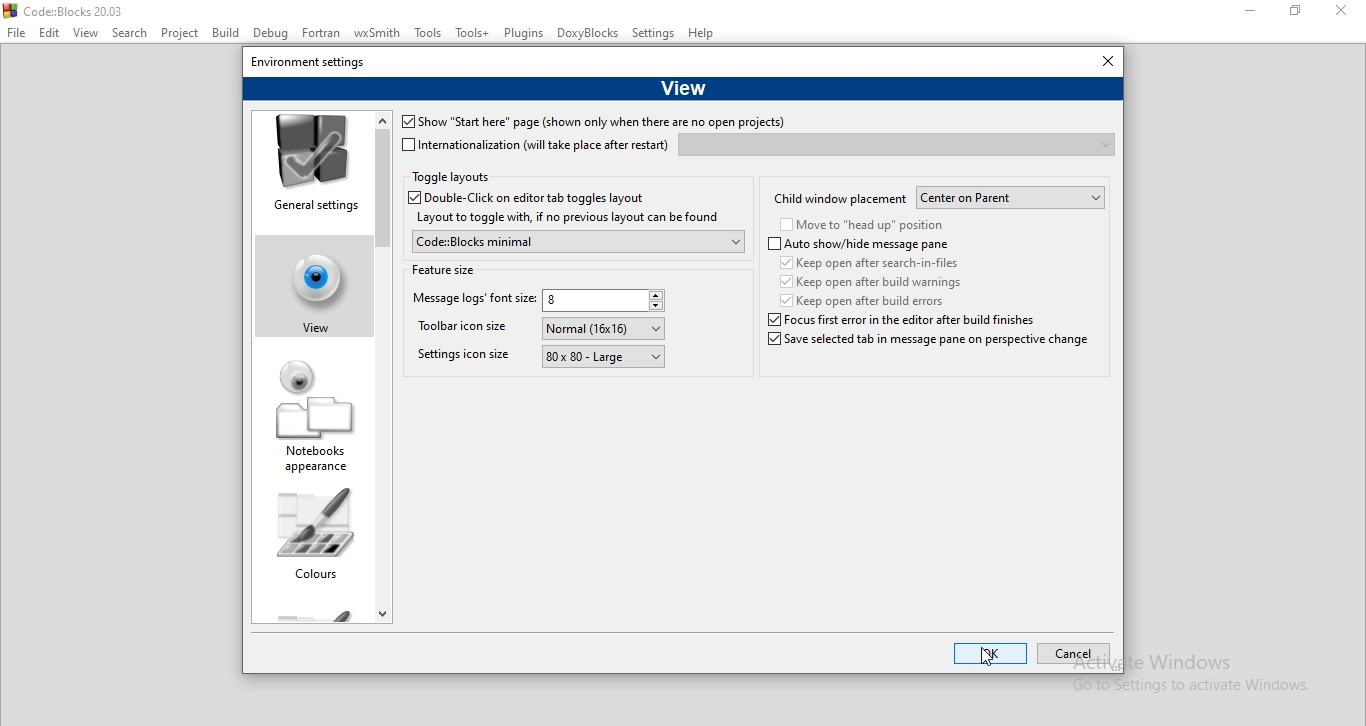  I want to click on Settings icon size: 80x80-Large, so click(462, 359).